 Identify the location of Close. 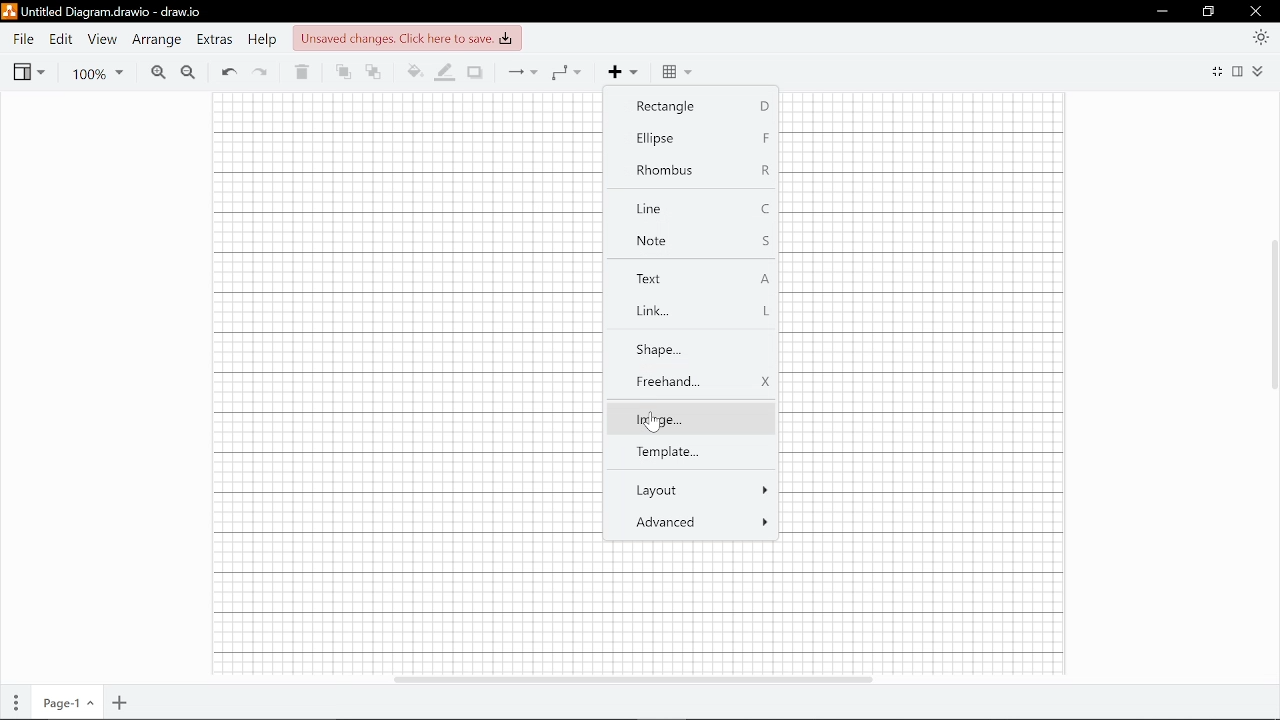
(1255, 11).